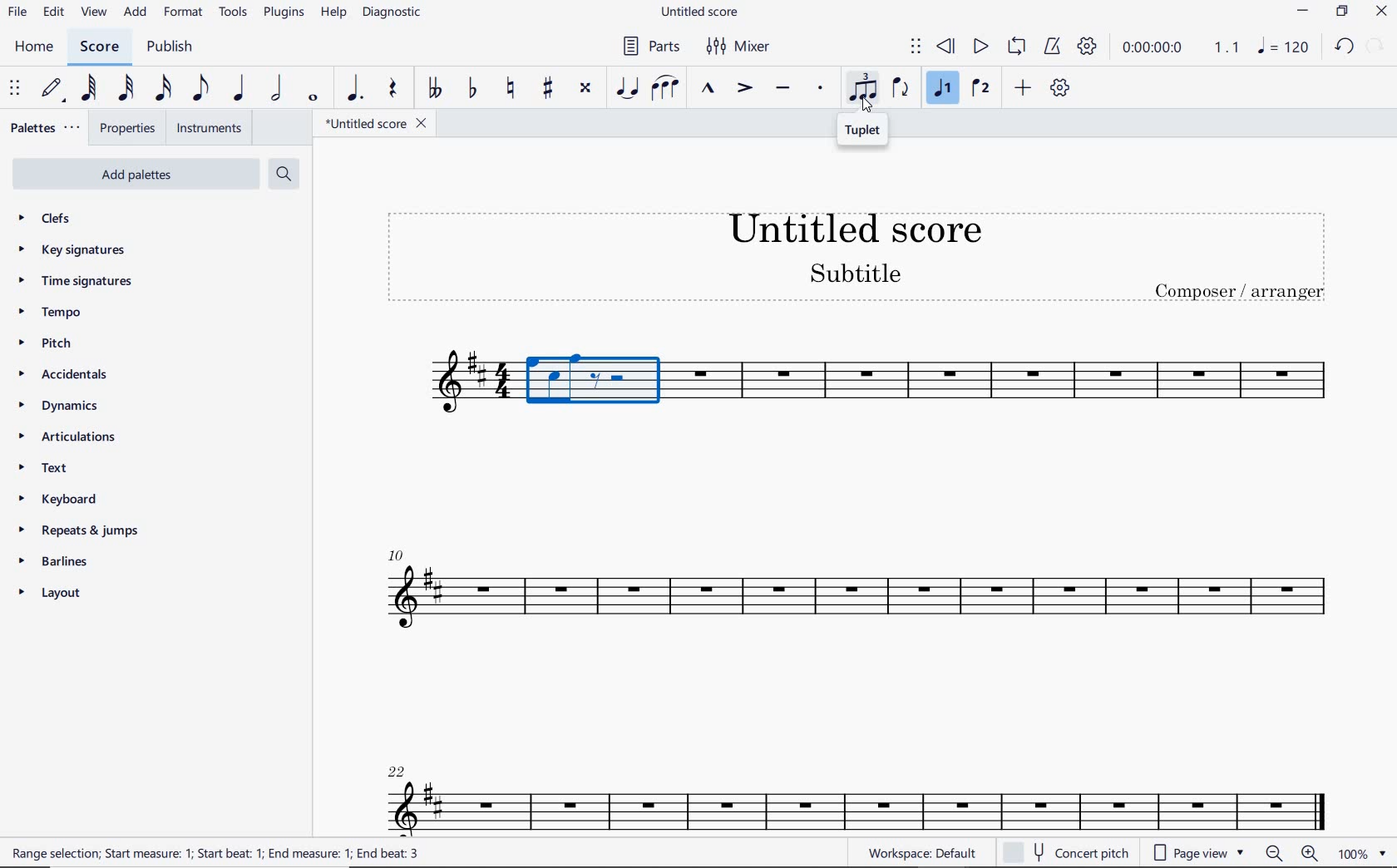 This screenshot has width=1397, height=868. What do you see at coordinates (283, 173) in the screenshot?
I see `SEARCH PALETTES` at bounding box center [283, 173].